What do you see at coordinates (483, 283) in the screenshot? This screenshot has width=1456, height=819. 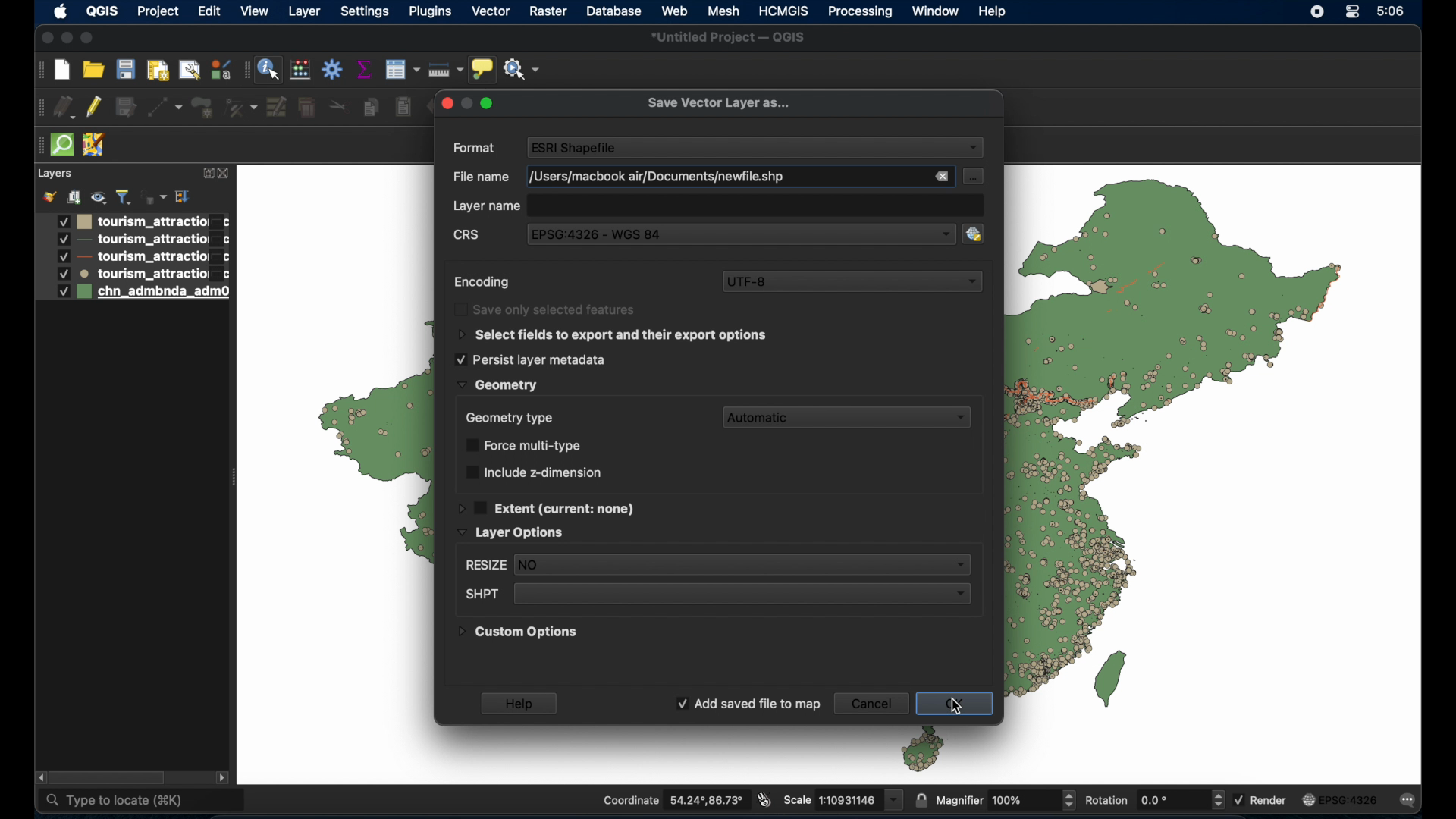 I see `encoding` at bounding box center [483, 283].